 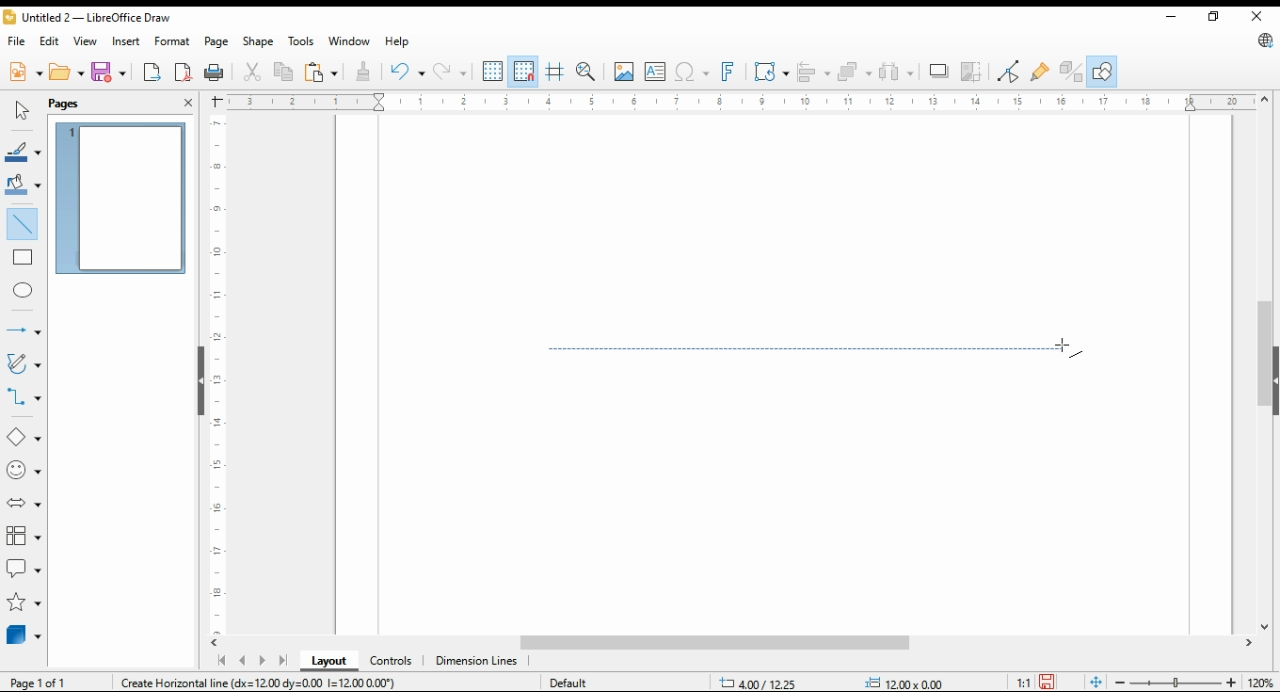 What do you see at coordinates (22, 110) in the screenshot?
I see `select` at bounding box center [22, 110].